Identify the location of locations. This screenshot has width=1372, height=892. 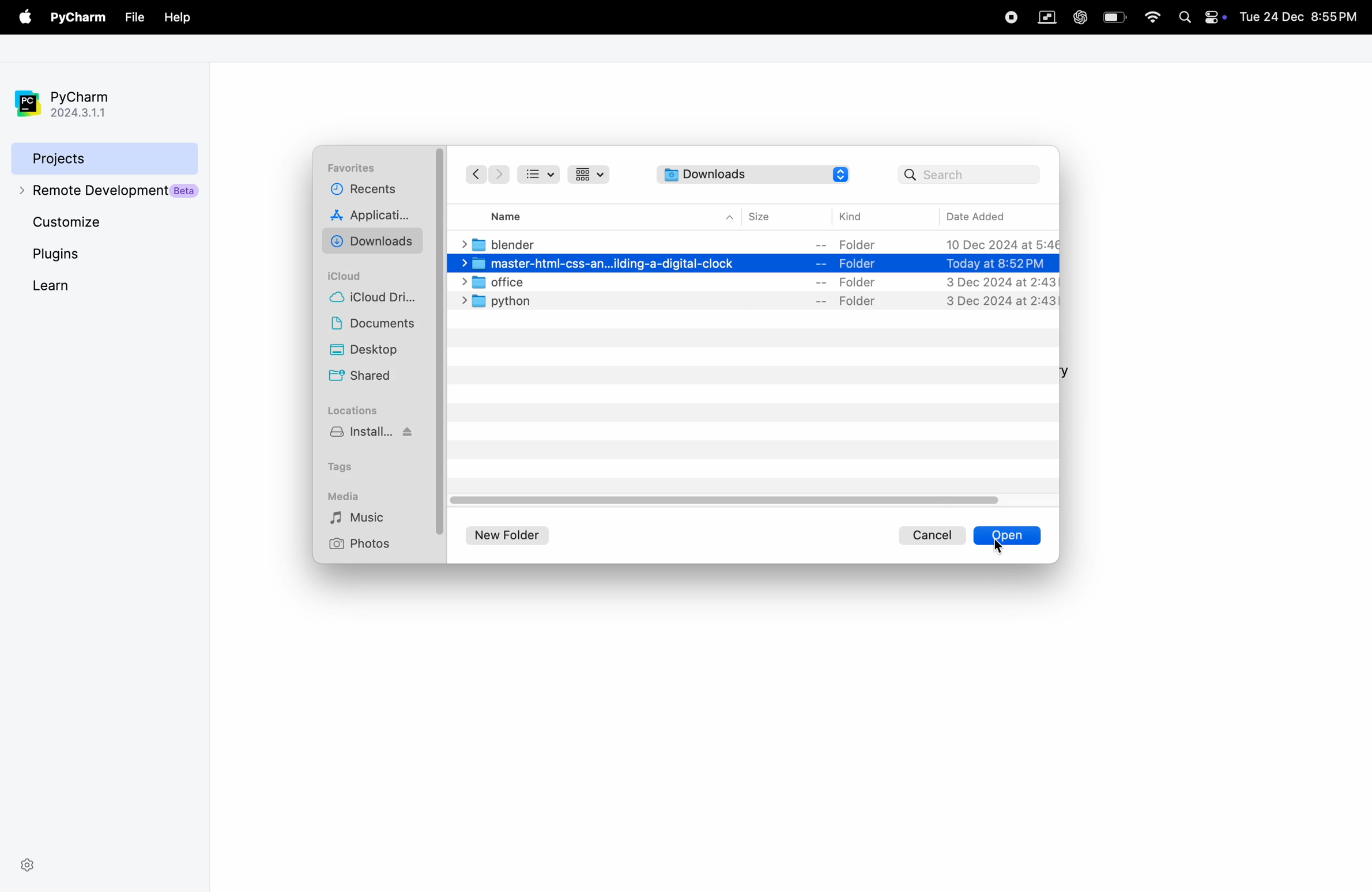
(355, 410).